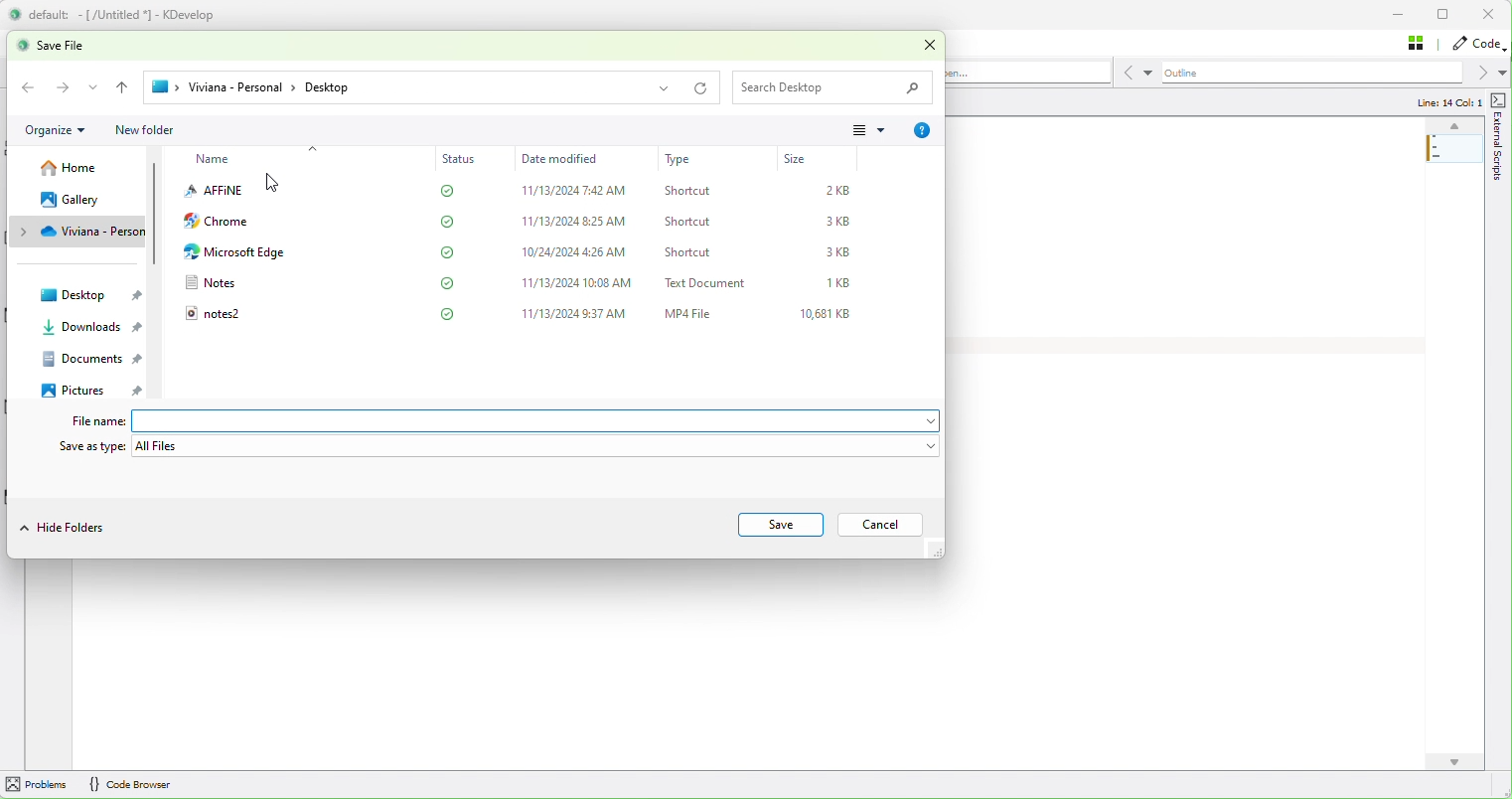 The height and width of the screenshot is (799, 1512). What do you see at coordinates (841, 251) in the screenshot?
I see `3KB` at bounding box center [841, 251].